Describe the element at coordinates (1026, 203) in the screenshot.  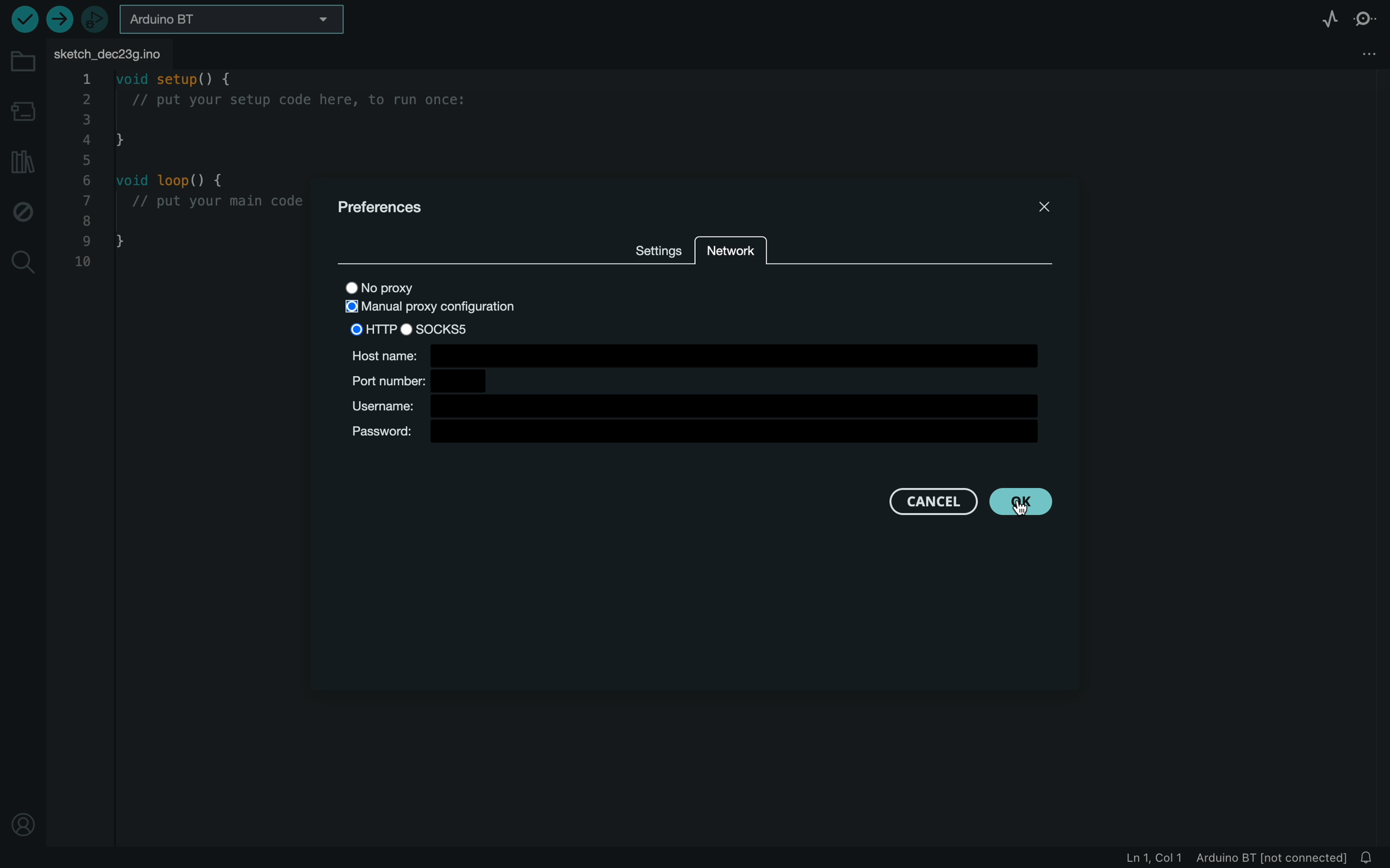
I see `close` at that location.